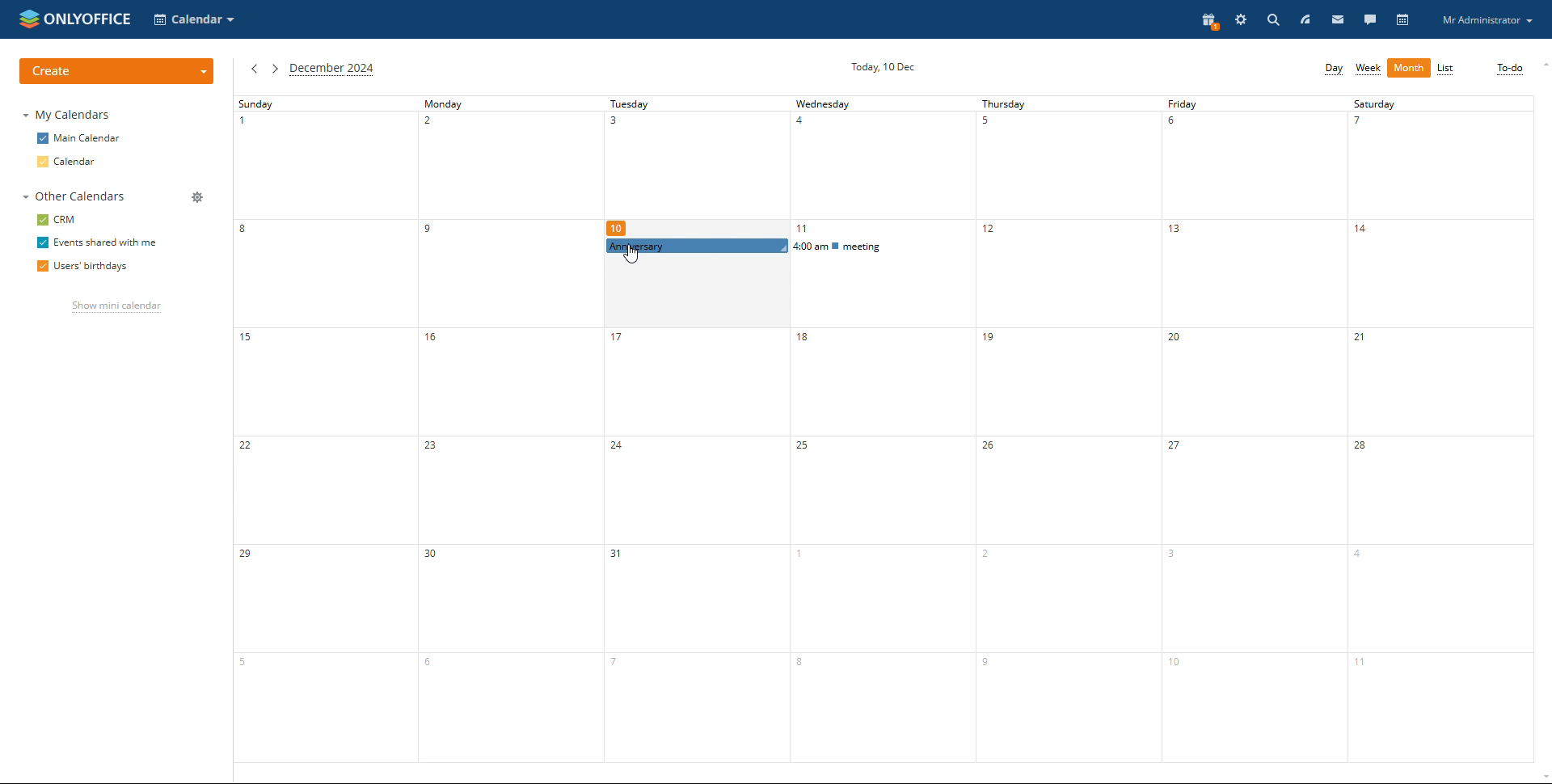  I want to click on feed, so click(1304, 19).